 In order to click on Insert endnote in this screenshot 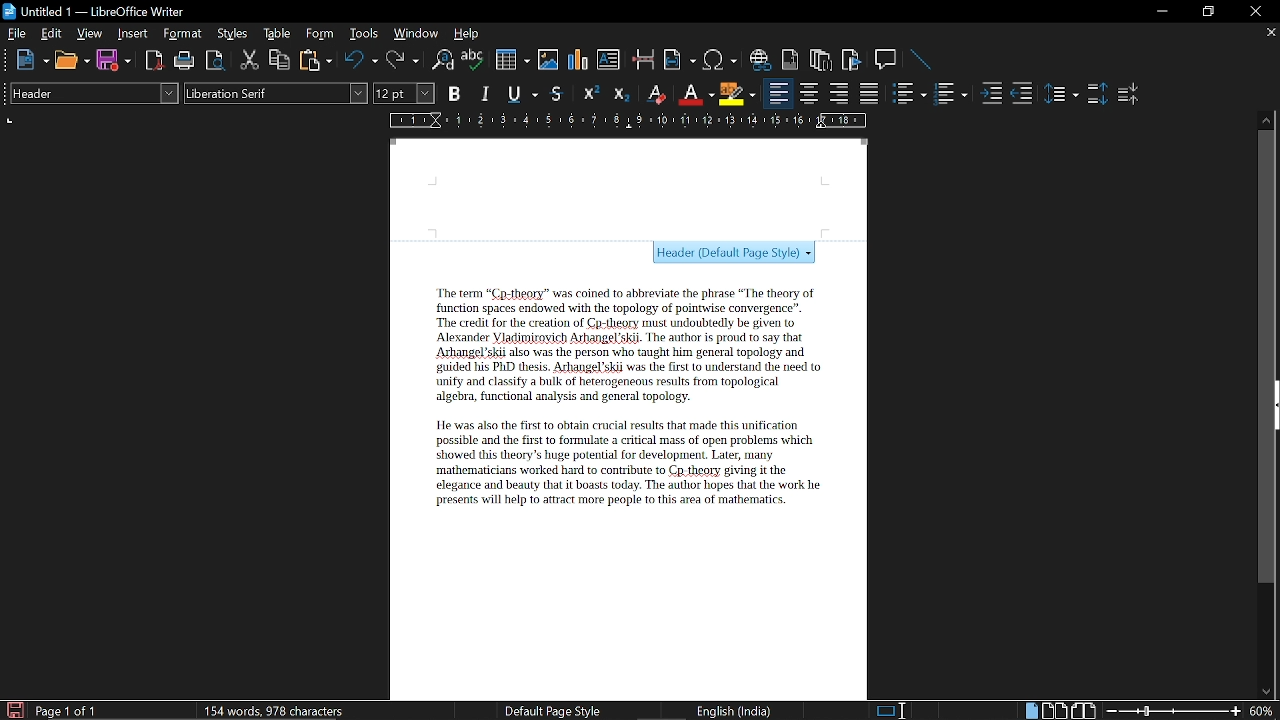, I will do `click(790, 60)`.